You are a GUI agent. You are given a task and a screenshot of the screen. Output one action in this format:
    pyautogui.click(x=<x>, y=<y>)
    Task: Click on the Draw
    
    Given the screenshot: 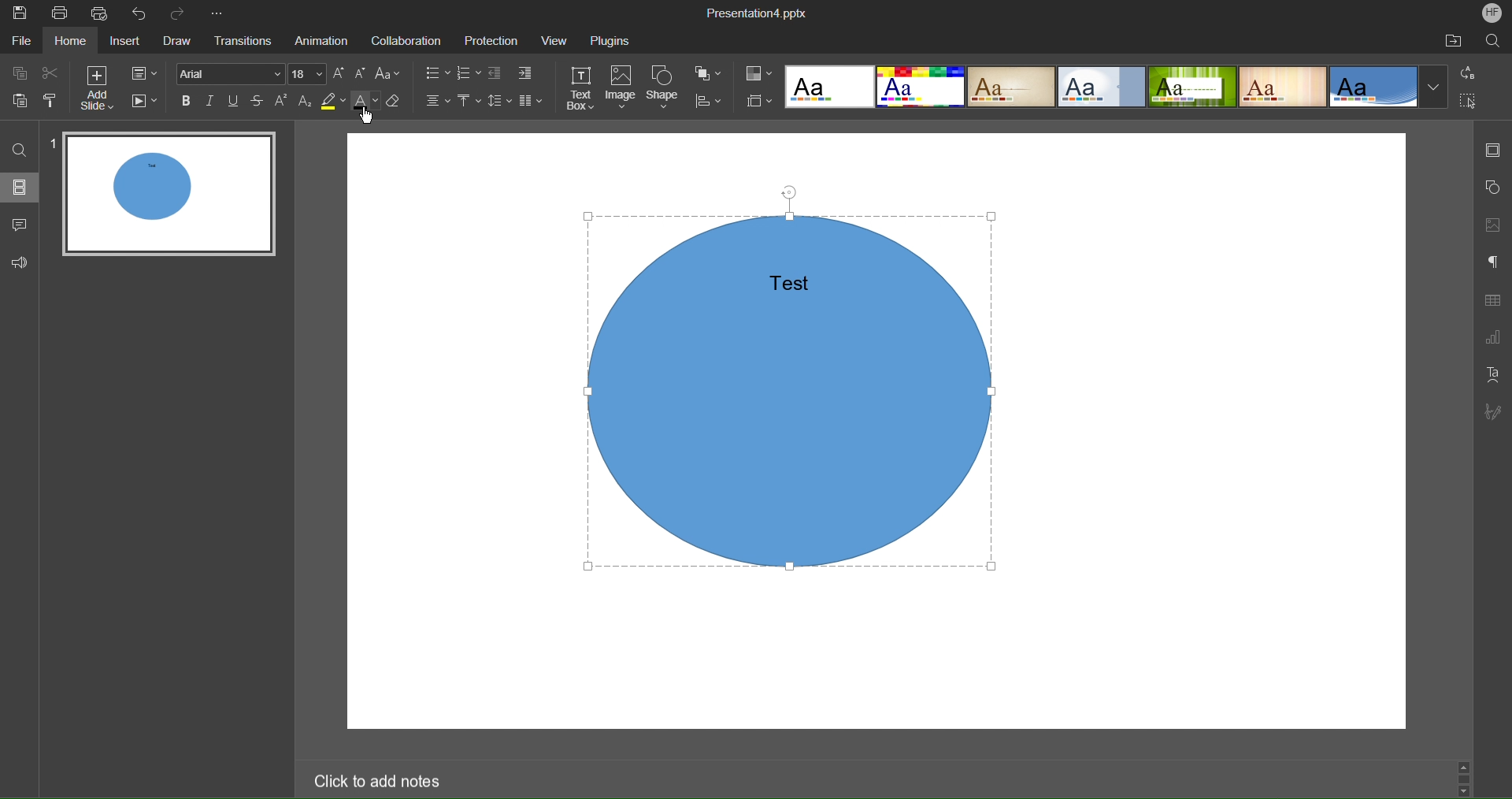 What is the action you would take?
    pyautogui.click(x=180, y=40)
    